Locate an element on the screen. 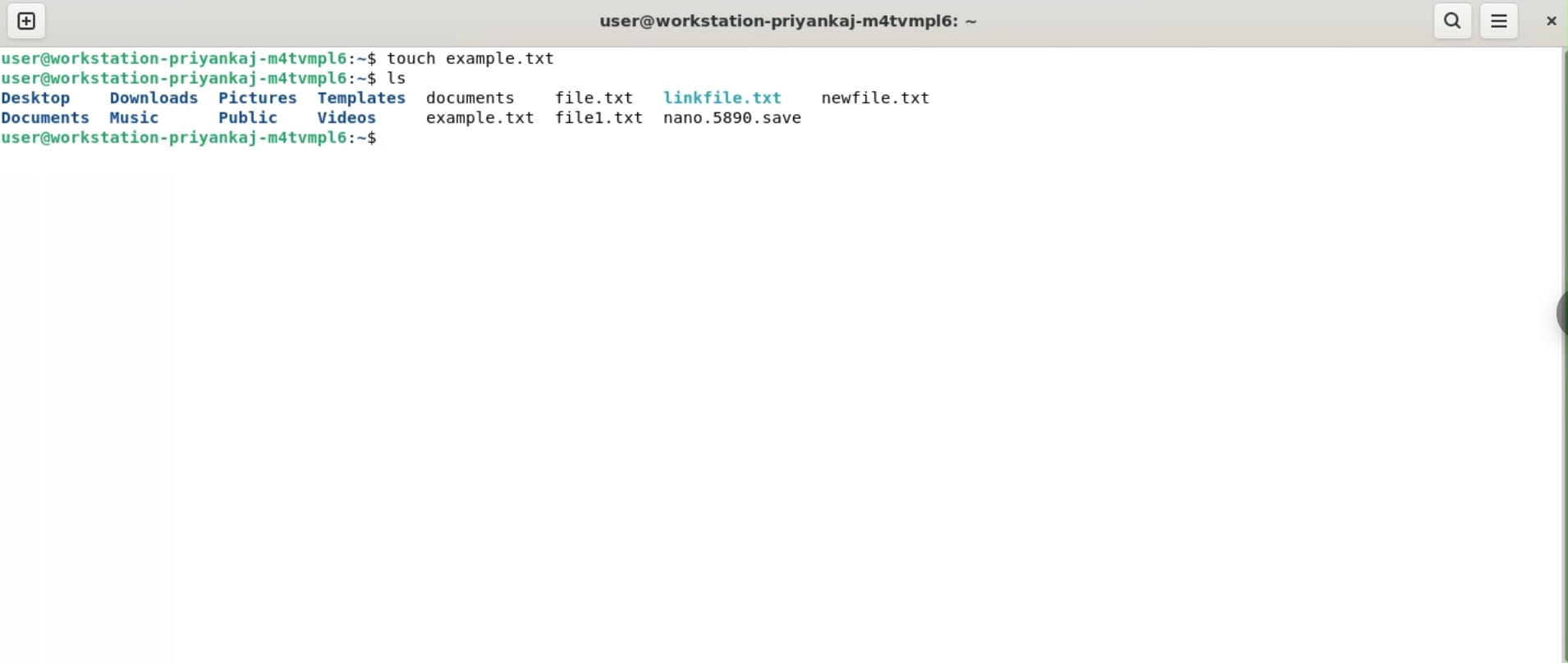 This screenshot has height=663, width=1568. sidebar is located at coordinates (1556, 313).